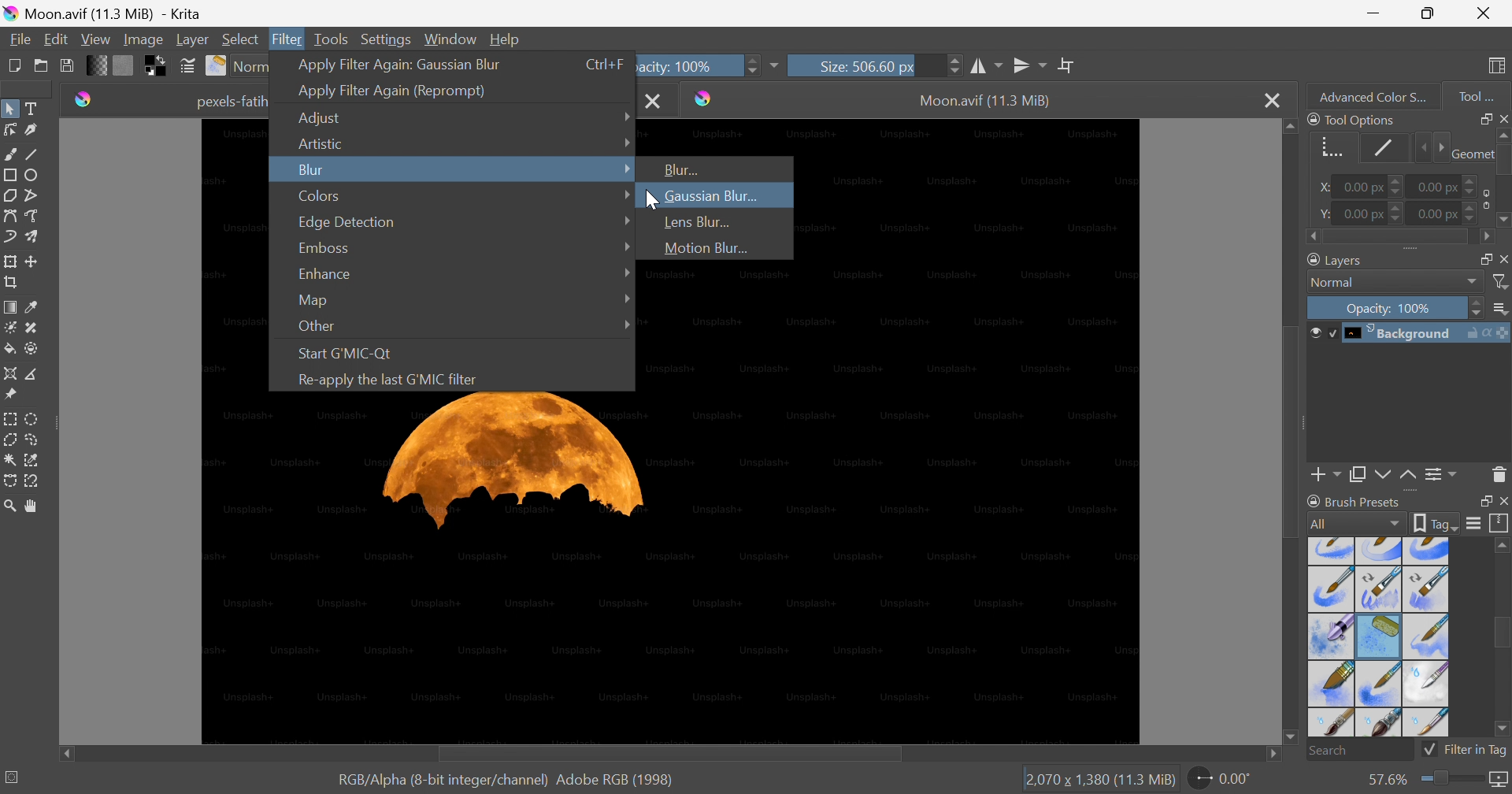 Image resolution: width=1512 pixels, height=794 pixels. What do you see at coordinates (1477, 522) in the screenshot?
I see `Display settings` at bounding box center [1477, 522].